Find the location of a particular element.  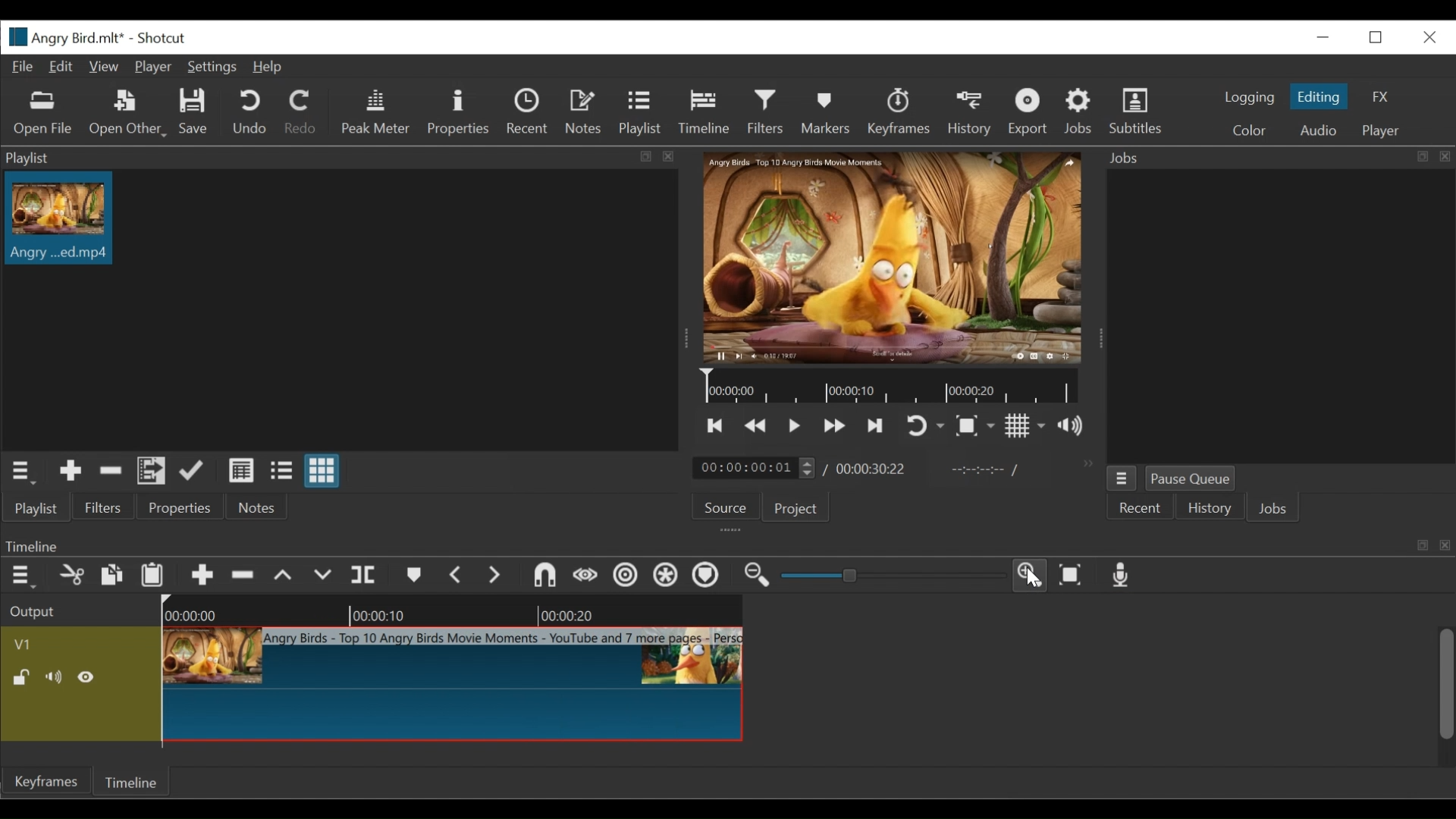

Notes is located at coordinates (583, 111).